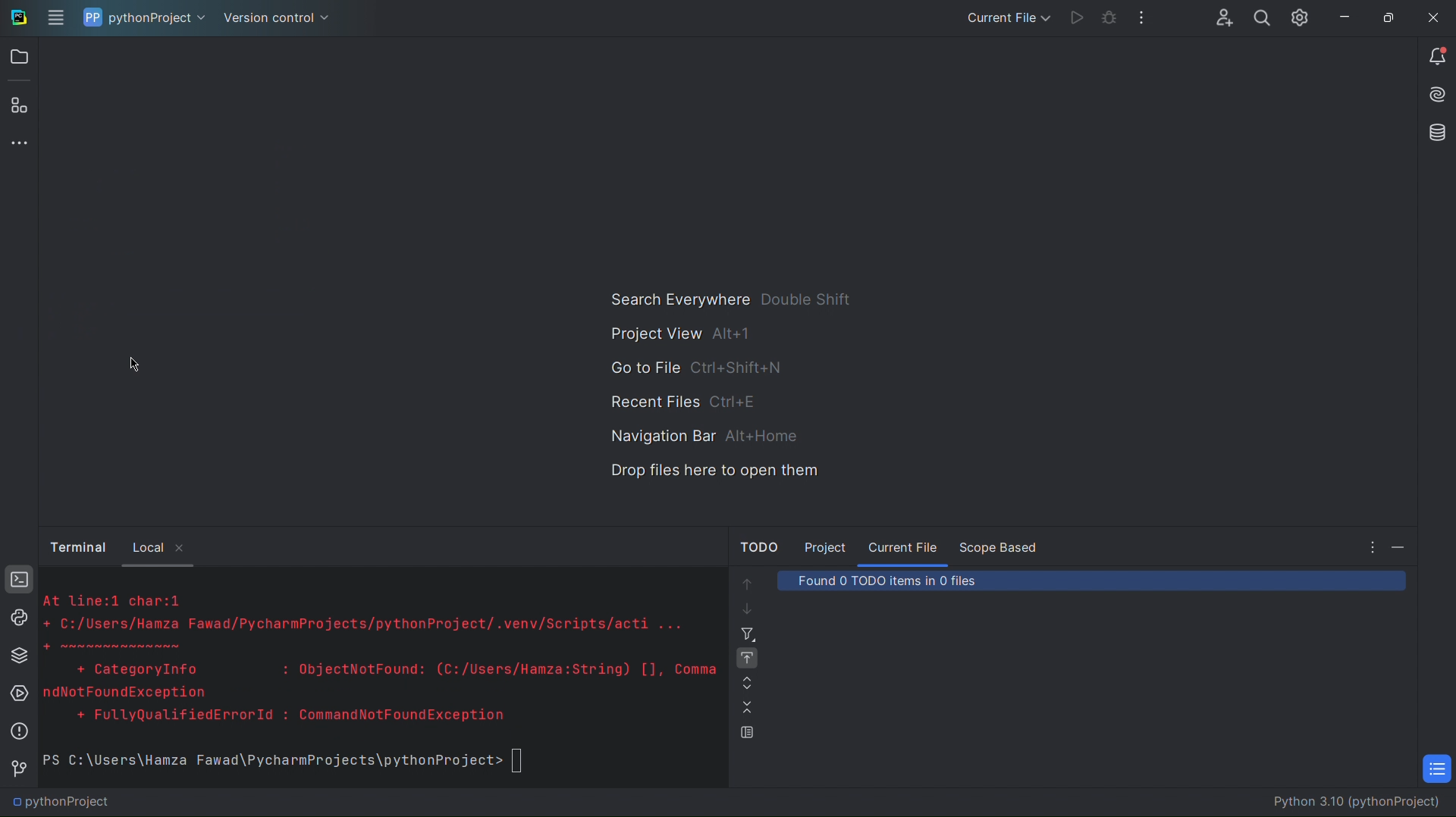 The image size is (1456, 817). Describe the element at coordinates (715, 471) in the screenshot. I see `Drop files here to open them` at that location.